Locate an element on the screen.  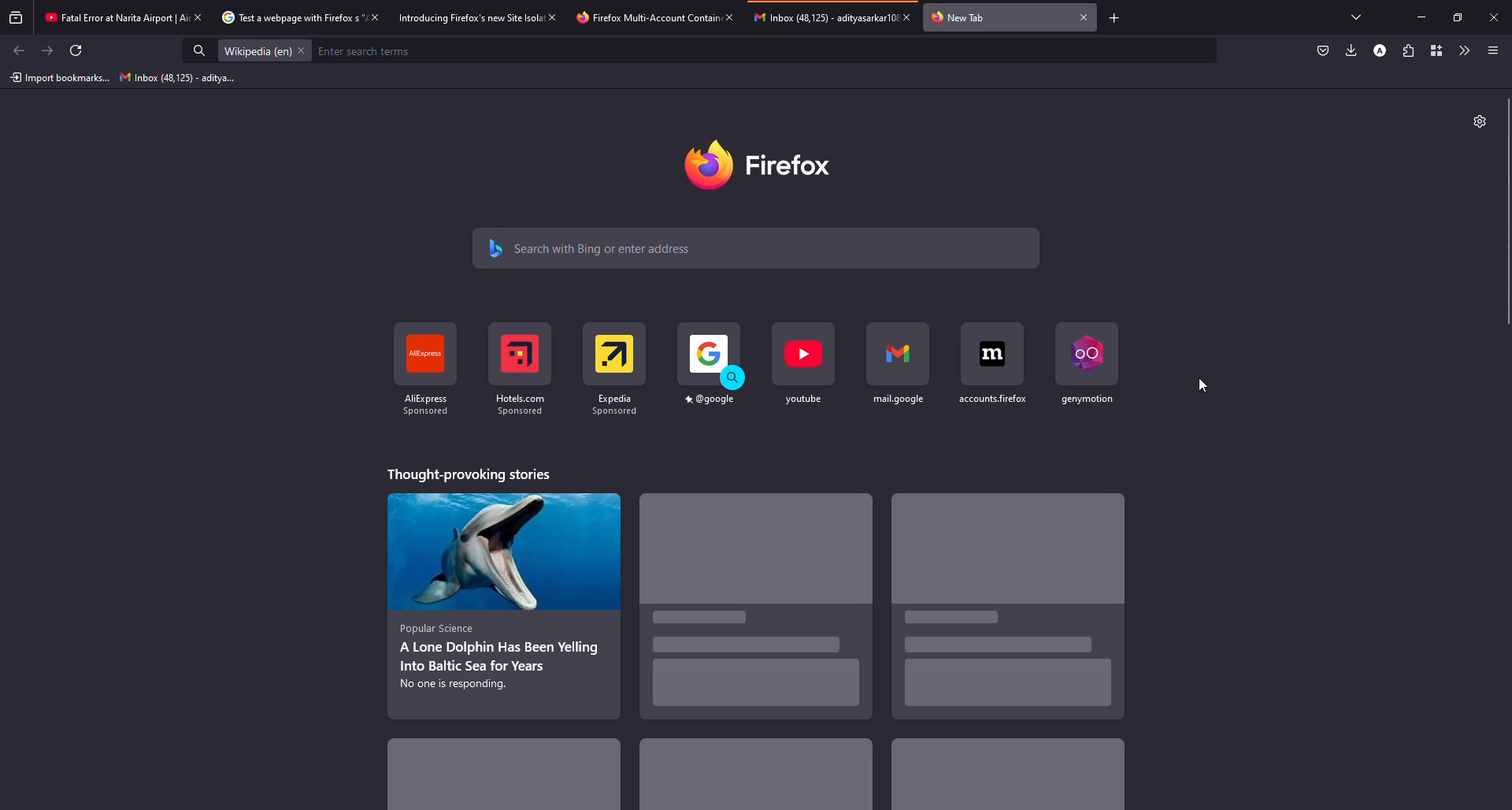
shortcutAliExpress sponsored is located at coordinates (423, 371).